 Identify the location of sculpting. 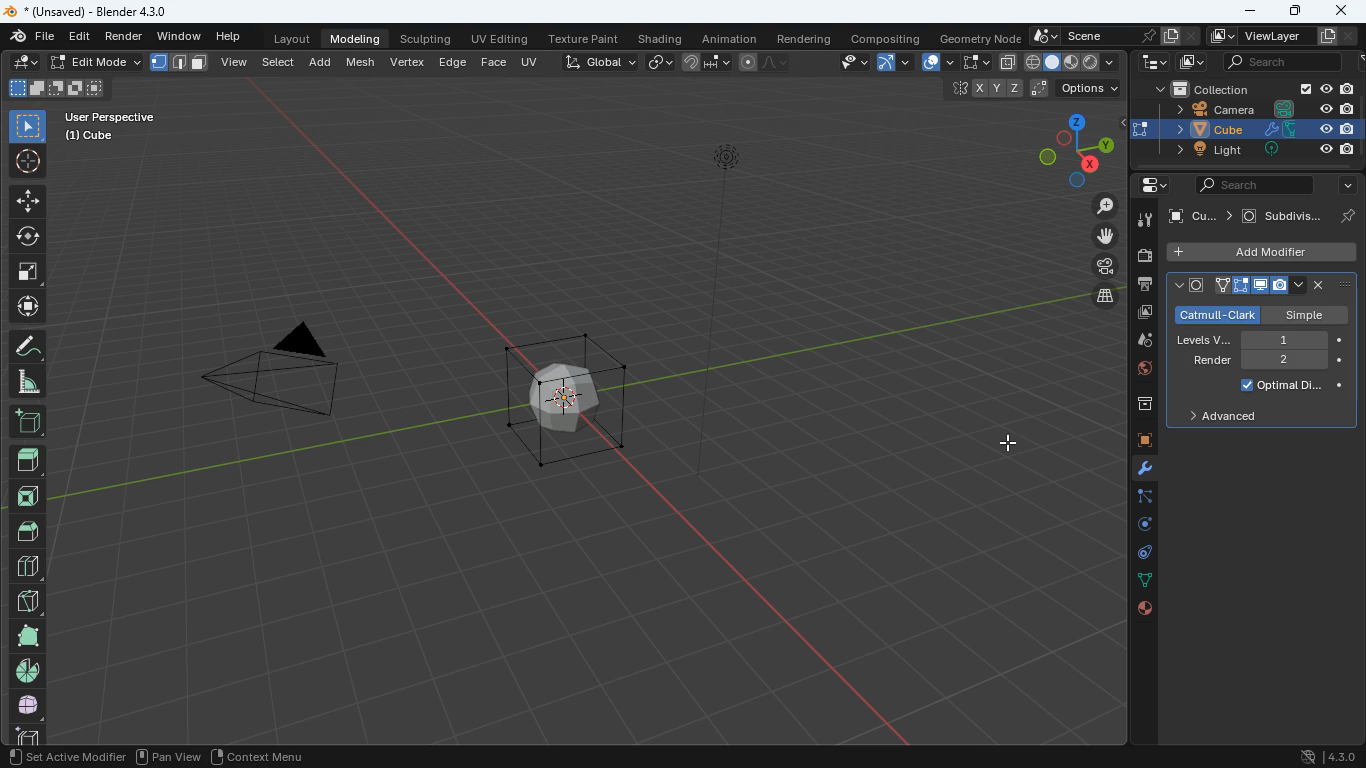
(429, 39).